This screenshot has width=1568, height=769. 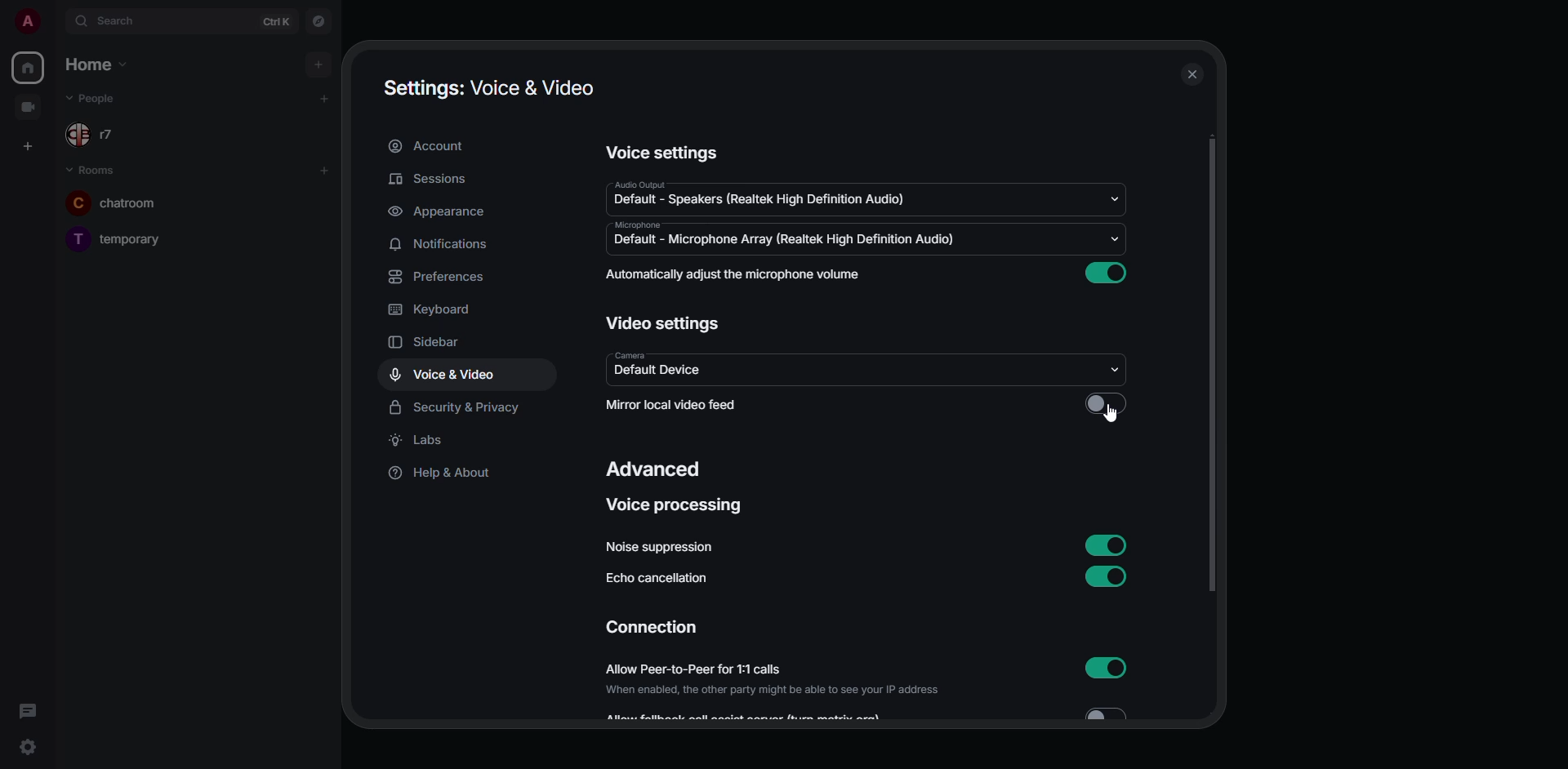 I want to click on cursor, so click(x=1110, y=416).